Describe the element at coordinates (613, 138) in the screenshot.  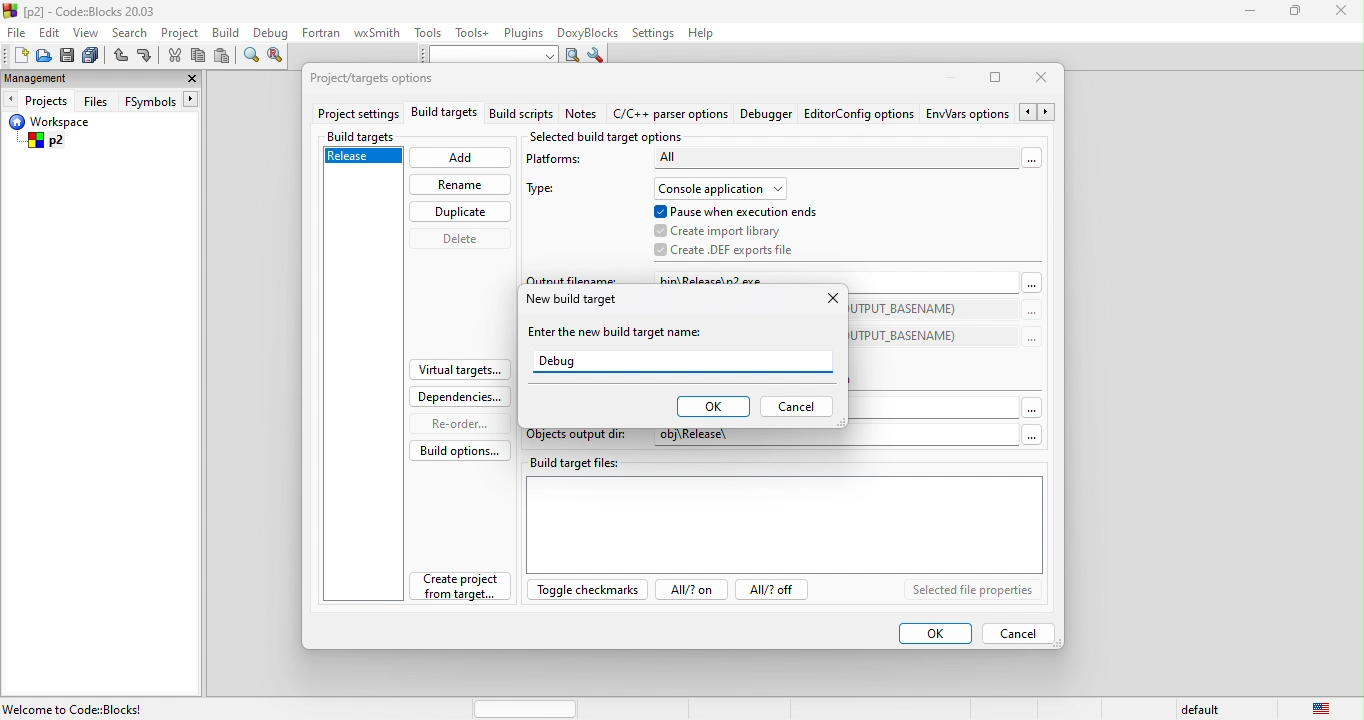
I see `selected build target option` at that location.